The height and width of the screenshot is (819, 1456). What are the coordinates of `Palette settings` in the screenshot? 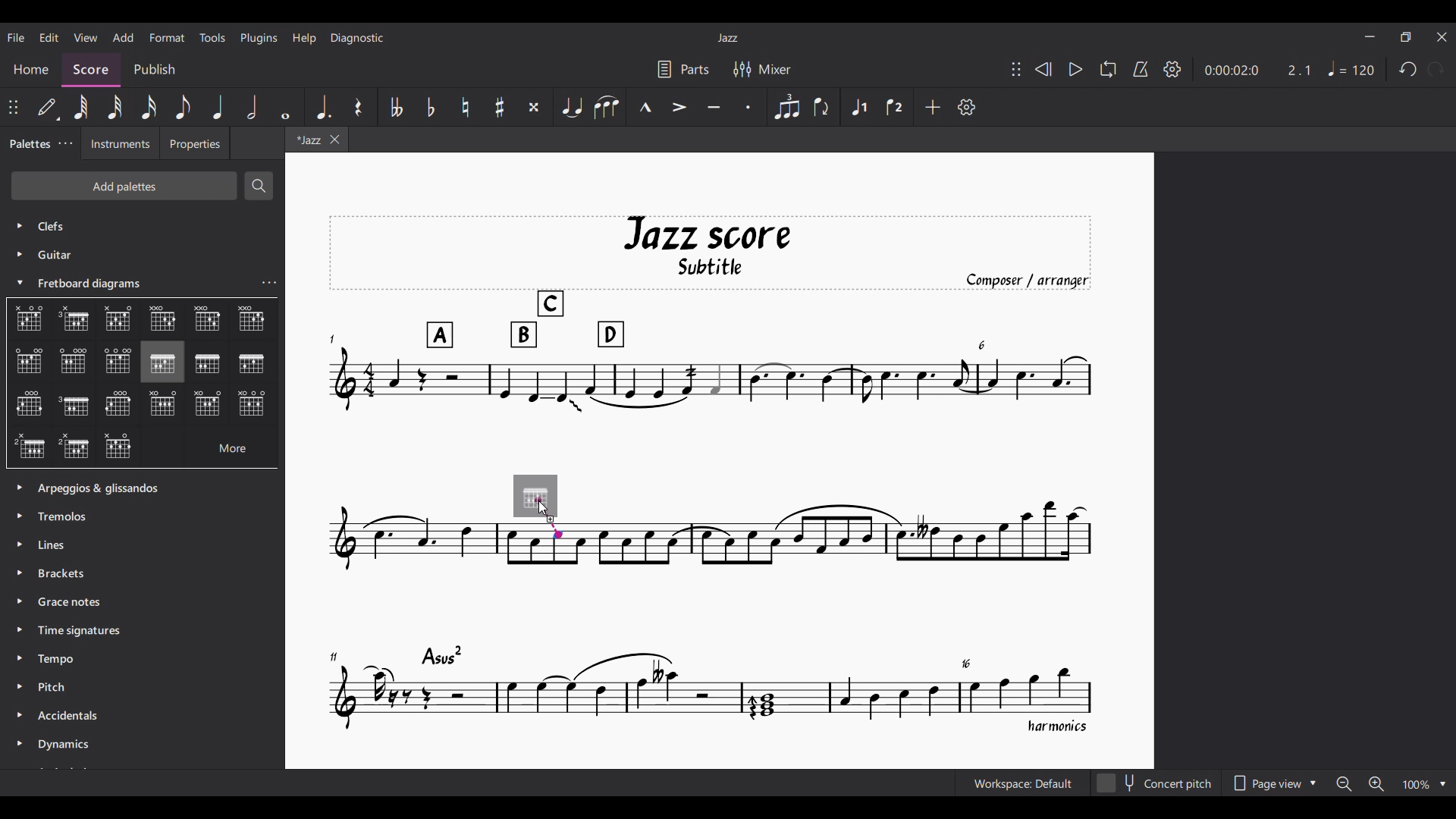 It's located at (66, 143).